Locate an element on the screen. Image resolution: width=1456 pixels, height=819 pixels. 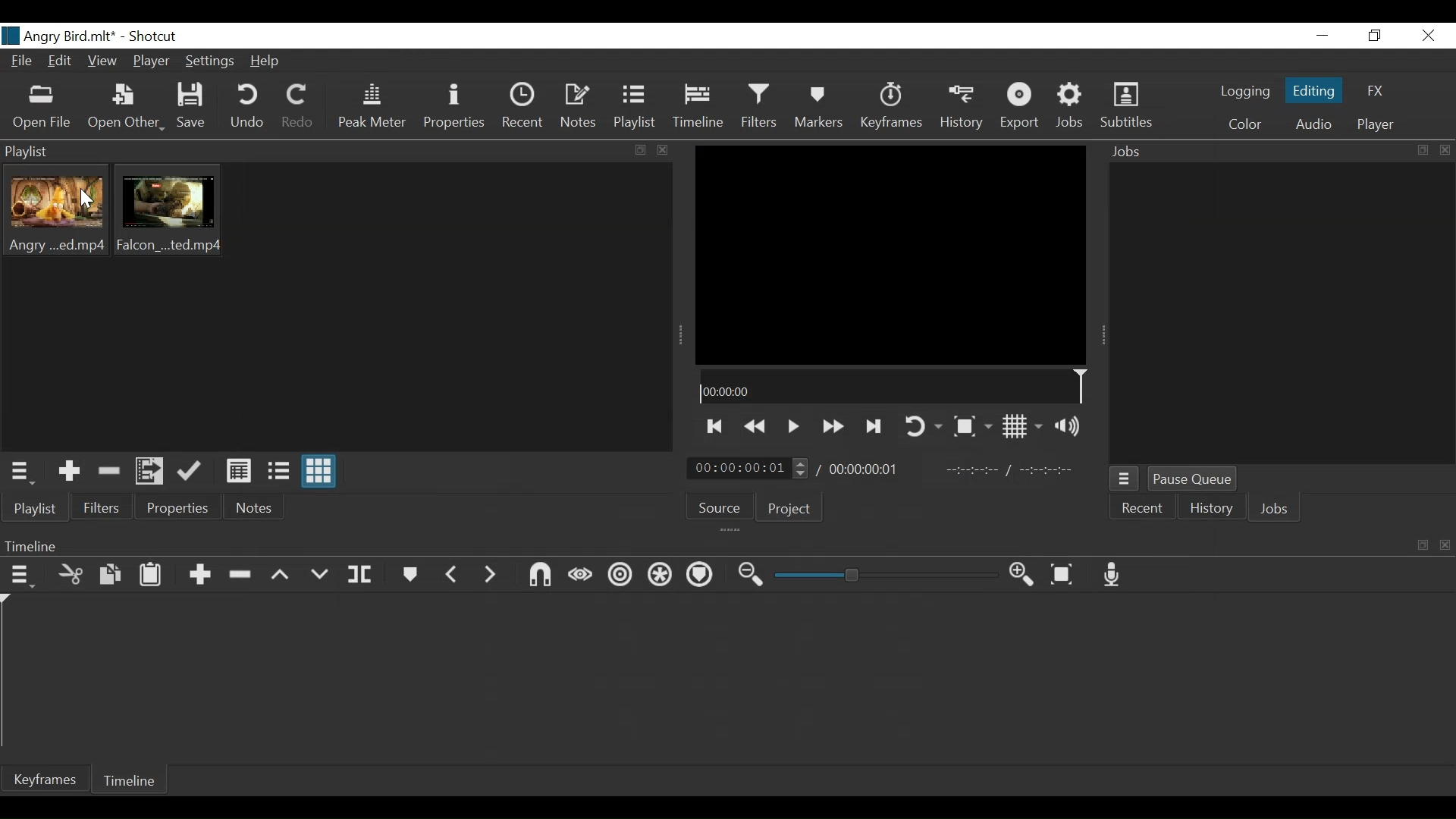
Toggle player looping is located at coordinates (924, 427).